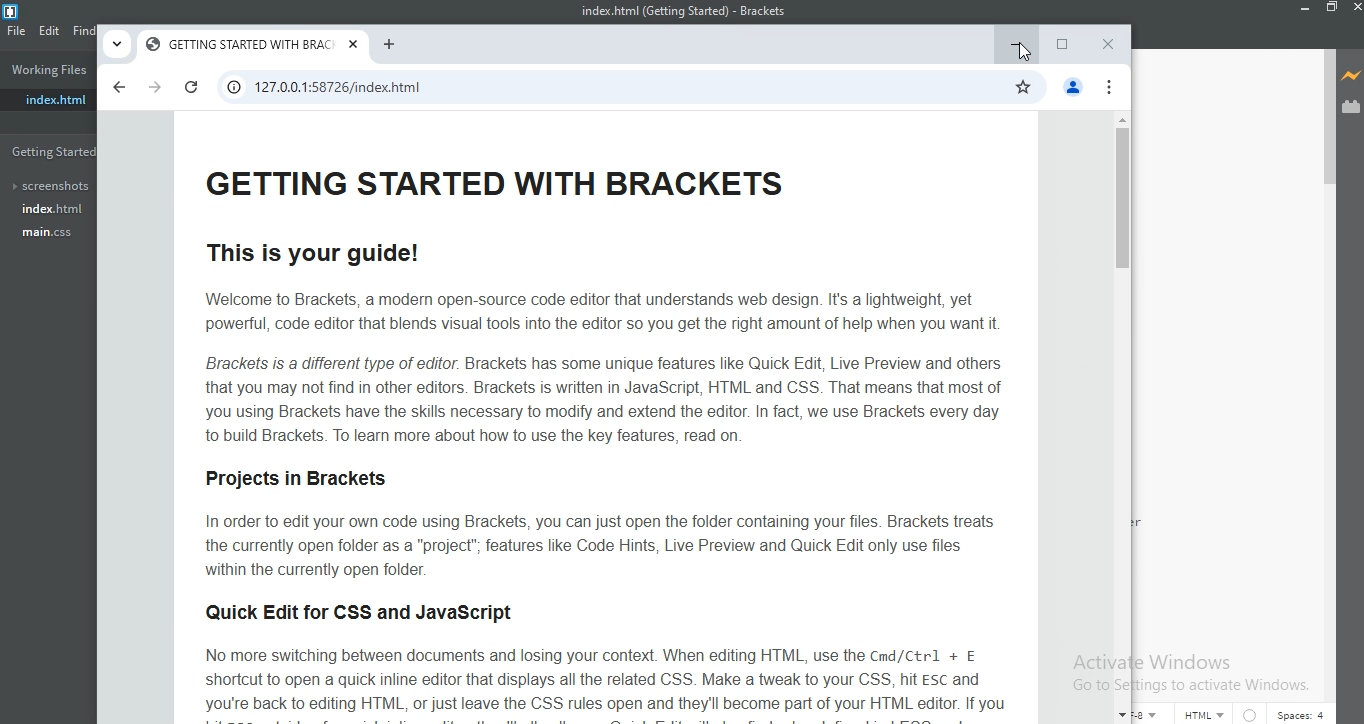  I want to click on live preview, so click(1351, 76).